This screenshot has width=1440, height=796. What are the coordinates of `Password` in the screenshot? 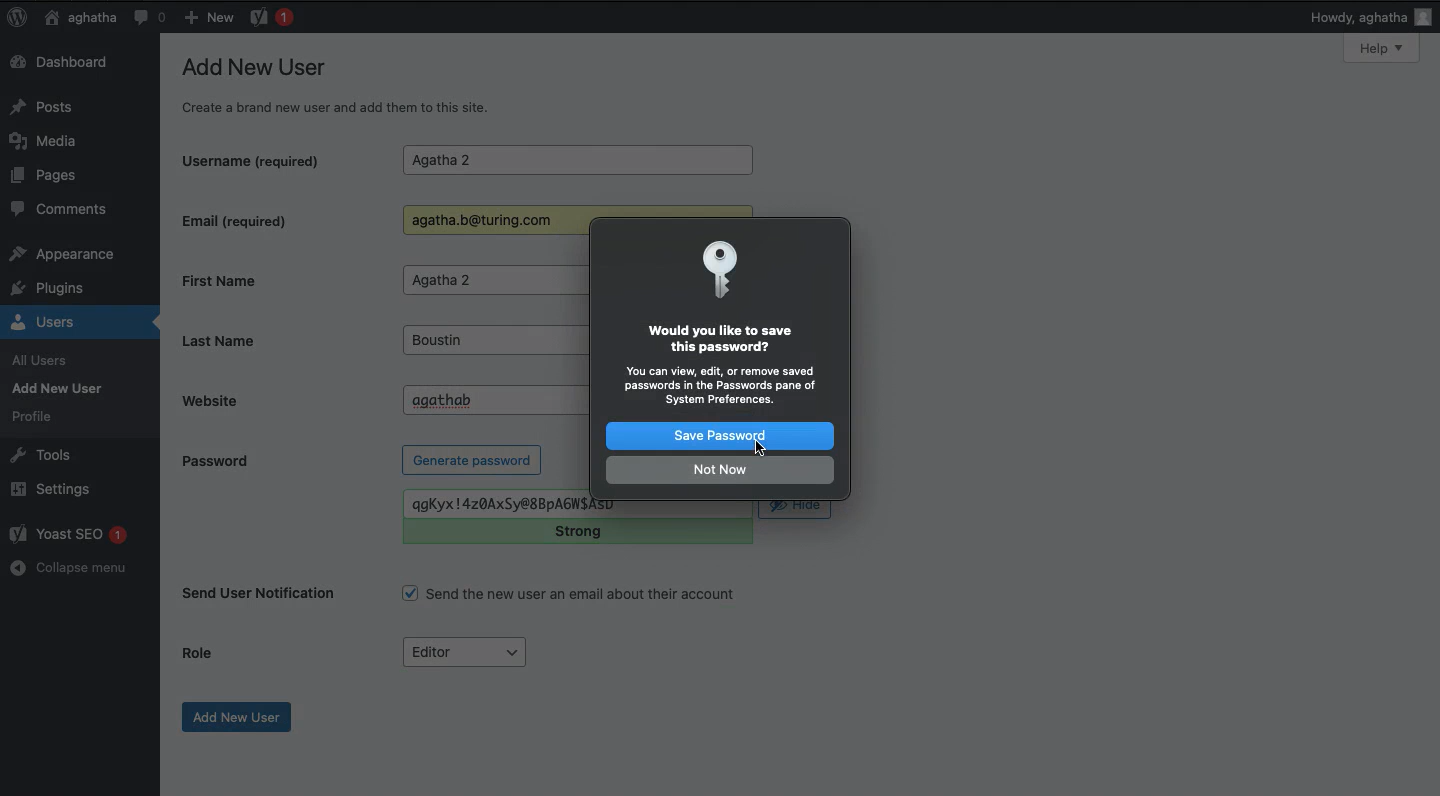 It's located at (214, 461).